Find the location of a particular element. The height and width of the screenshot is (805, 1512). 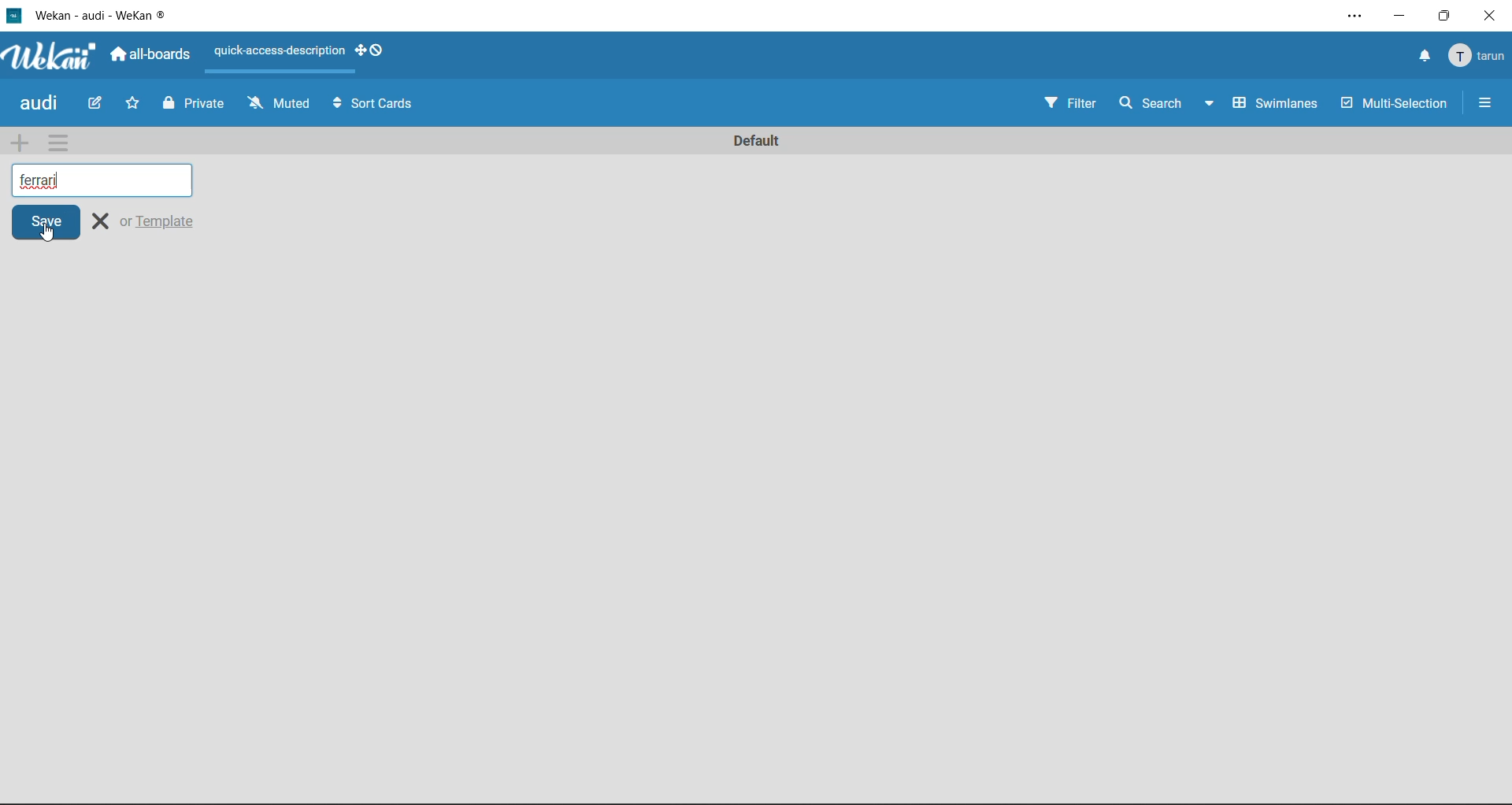

Wekan - audi -WeKan is located at coordinates (101, 14).